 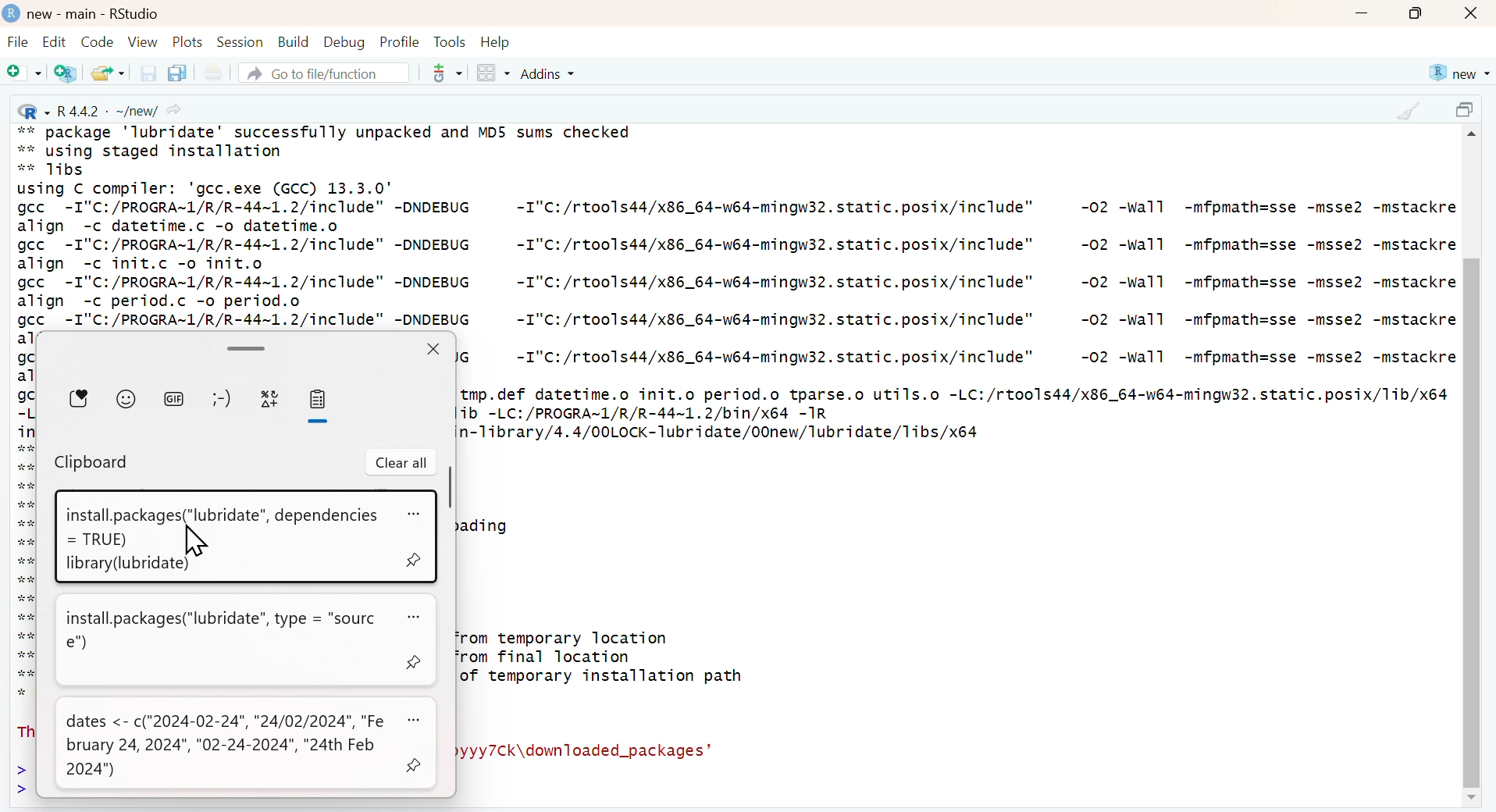 What do you see at coordinates (196, 542) in the screenshot?
I see `cursor` at bounding box center [196, 542].